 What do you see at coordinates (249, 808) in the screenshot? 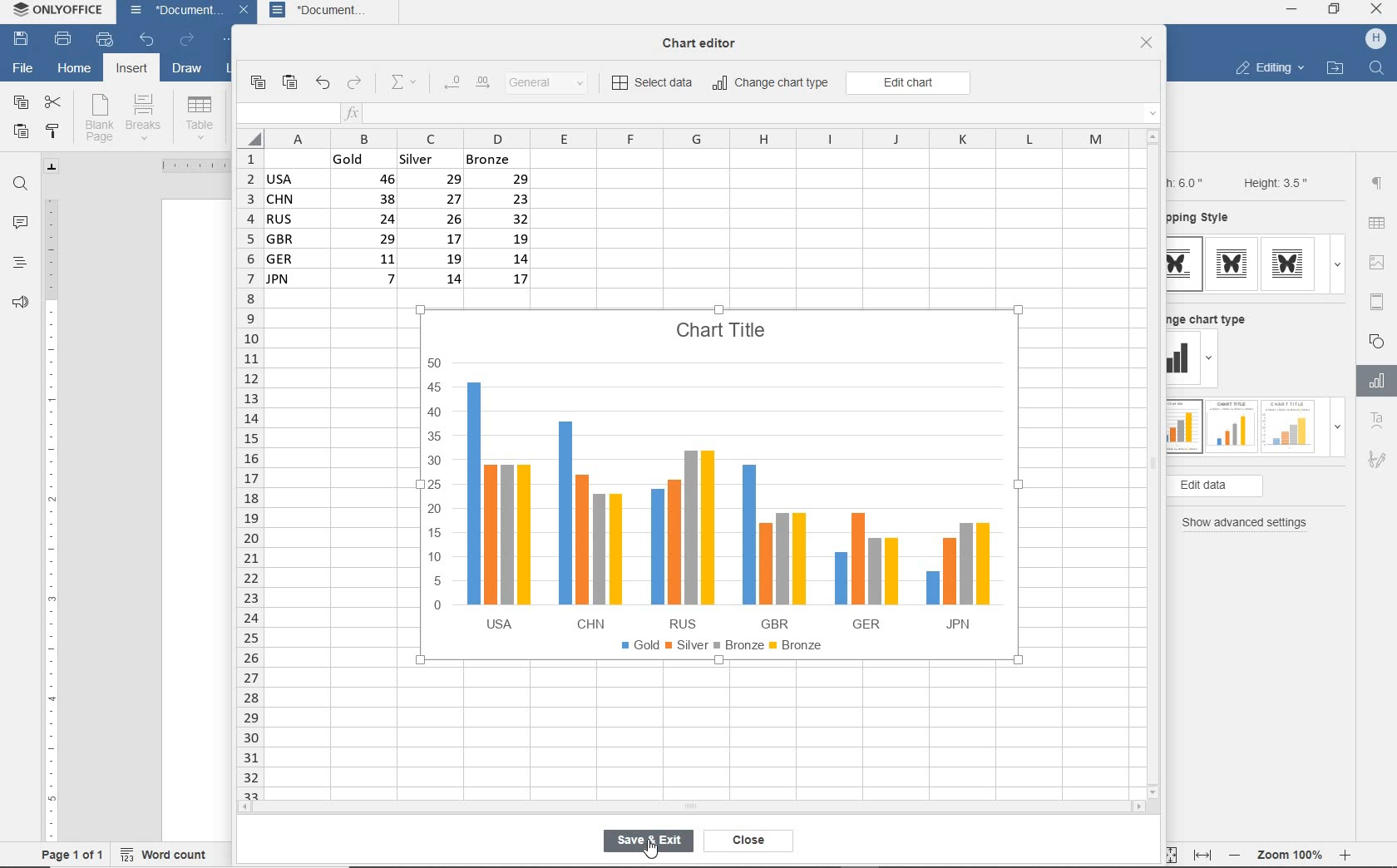
I see `scroll left` at bounding box center [249, 808].